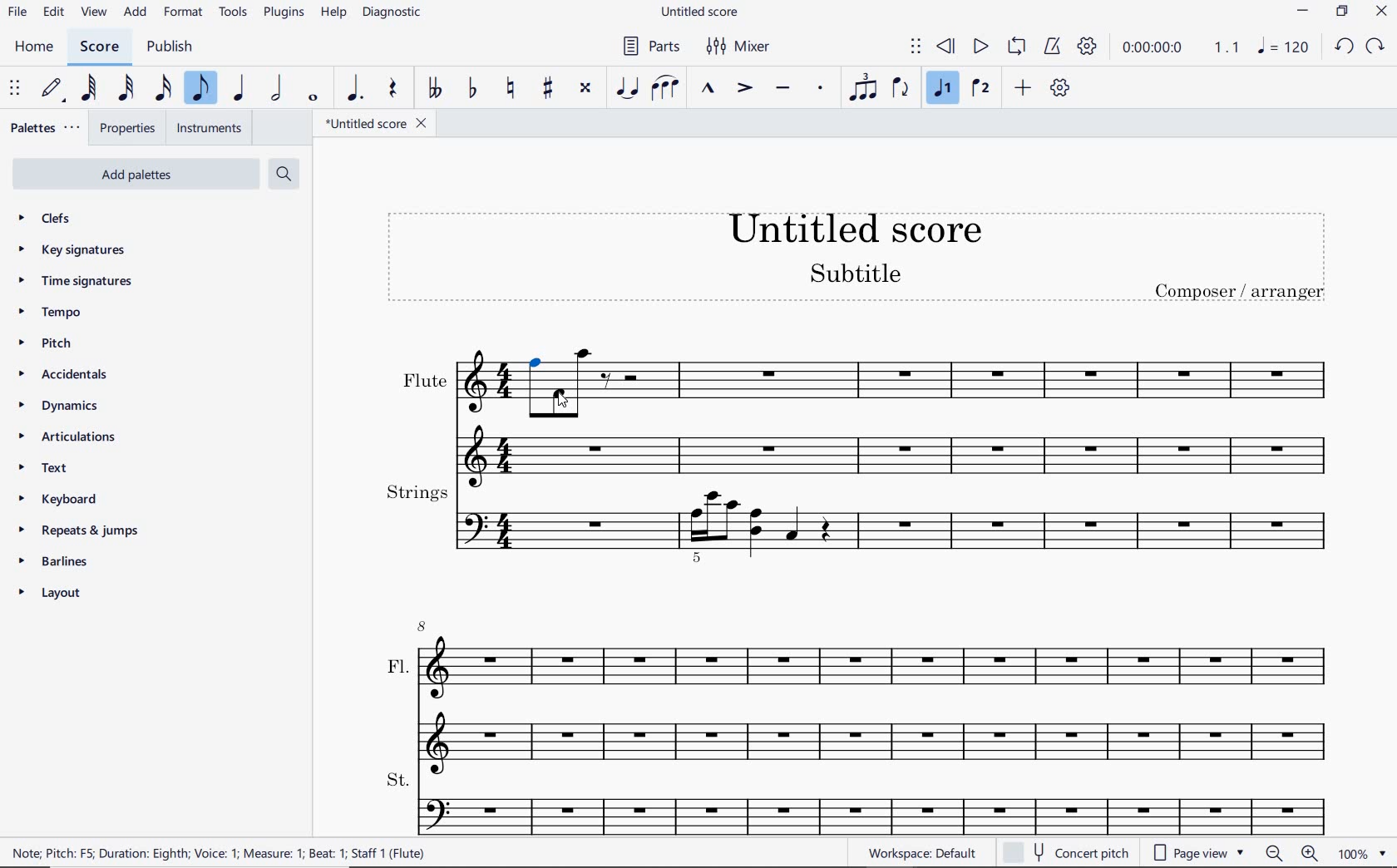 The image size is (1397, 868). I want to click on Cursor selects note, so click(560, 401).